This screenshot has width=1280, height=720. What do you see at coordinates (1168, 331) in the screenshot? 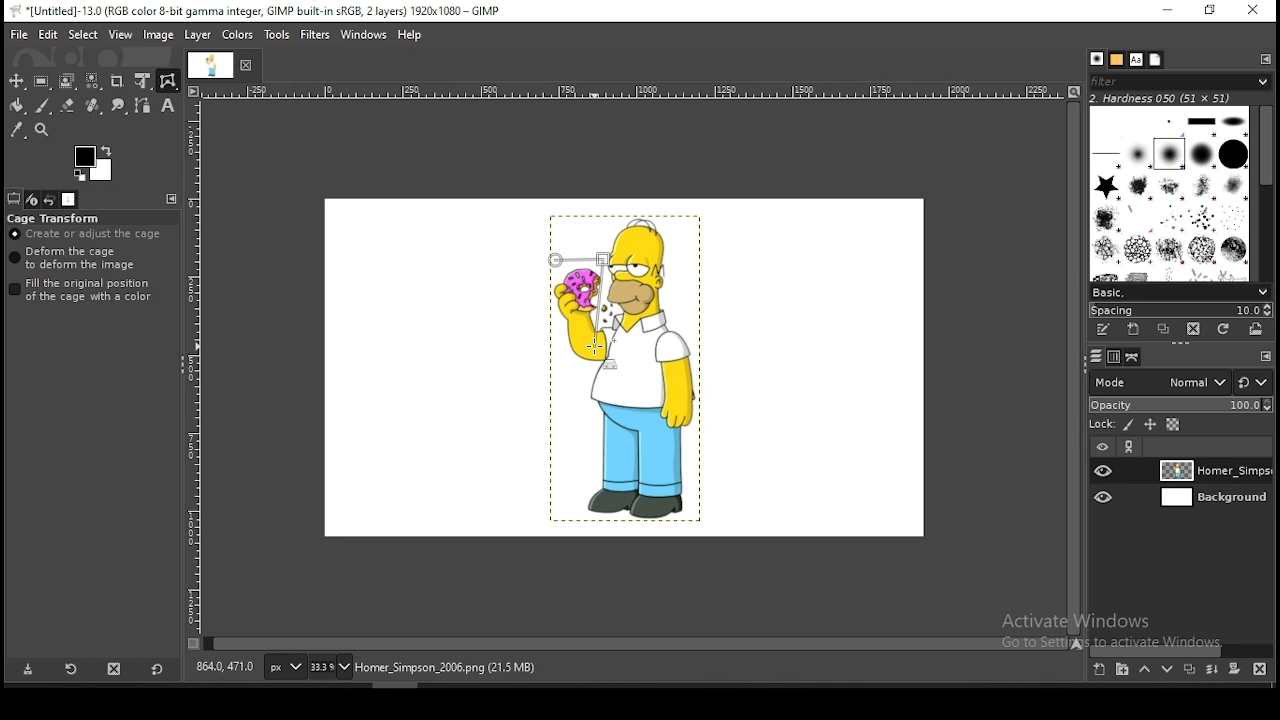
I see `duplicate brush` at bounding box center [1168, 331].